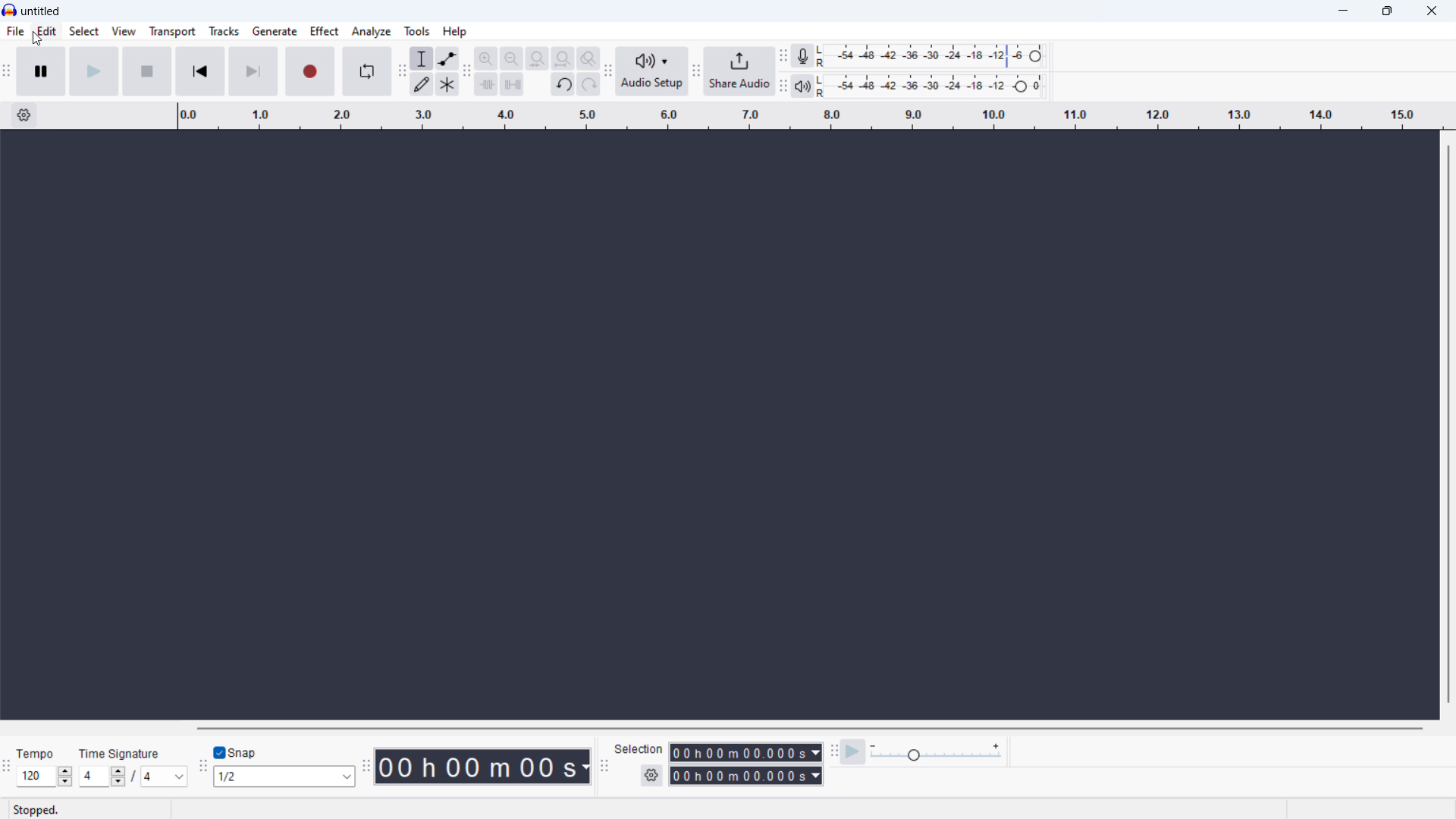 Image resolution: width=1456 pixels, height=819 pixels. Describe the element at coordinates (123, 752) in the screenshot. I see `Time signature` at that location.